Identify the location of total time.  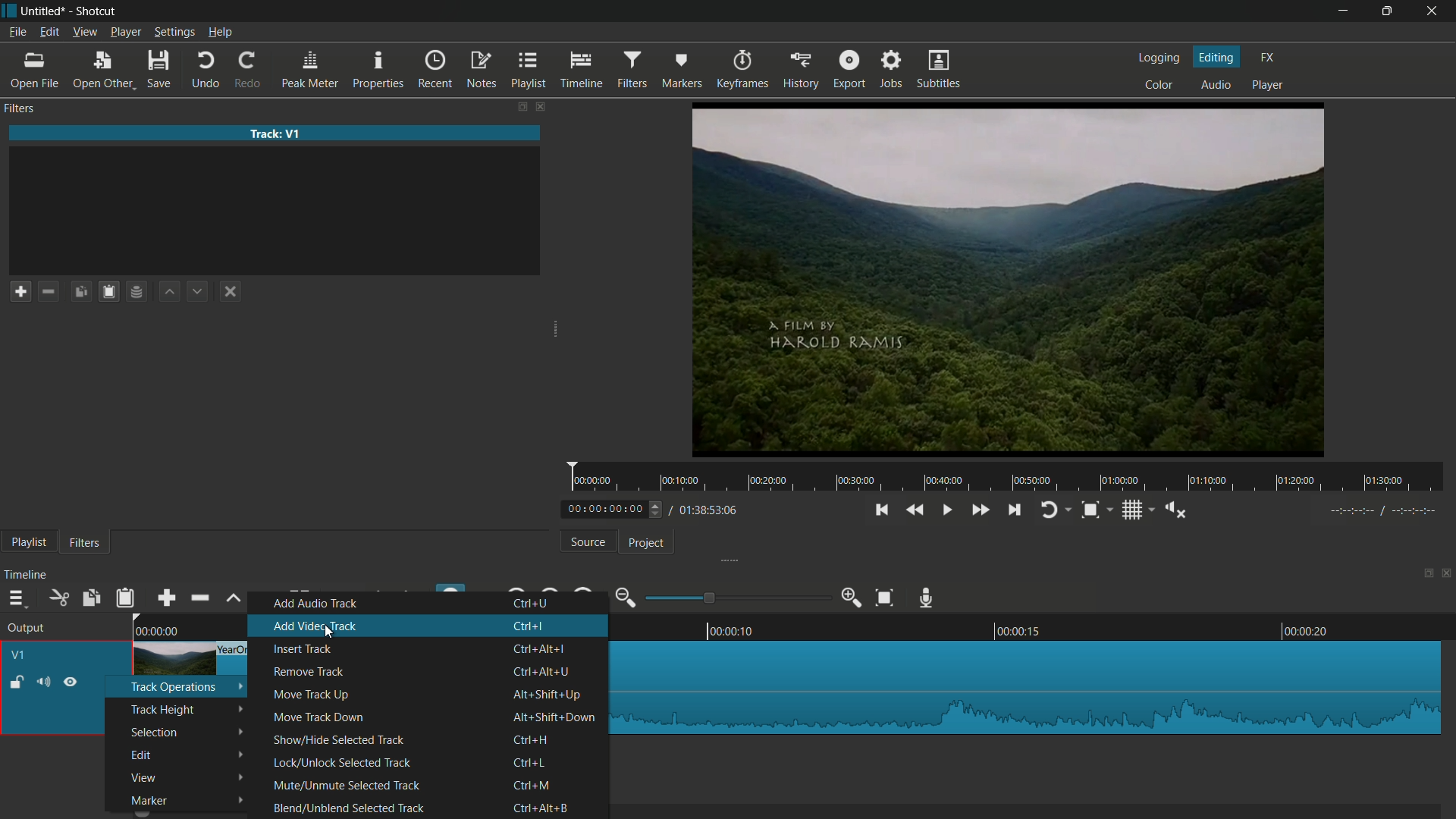
(707, 510).